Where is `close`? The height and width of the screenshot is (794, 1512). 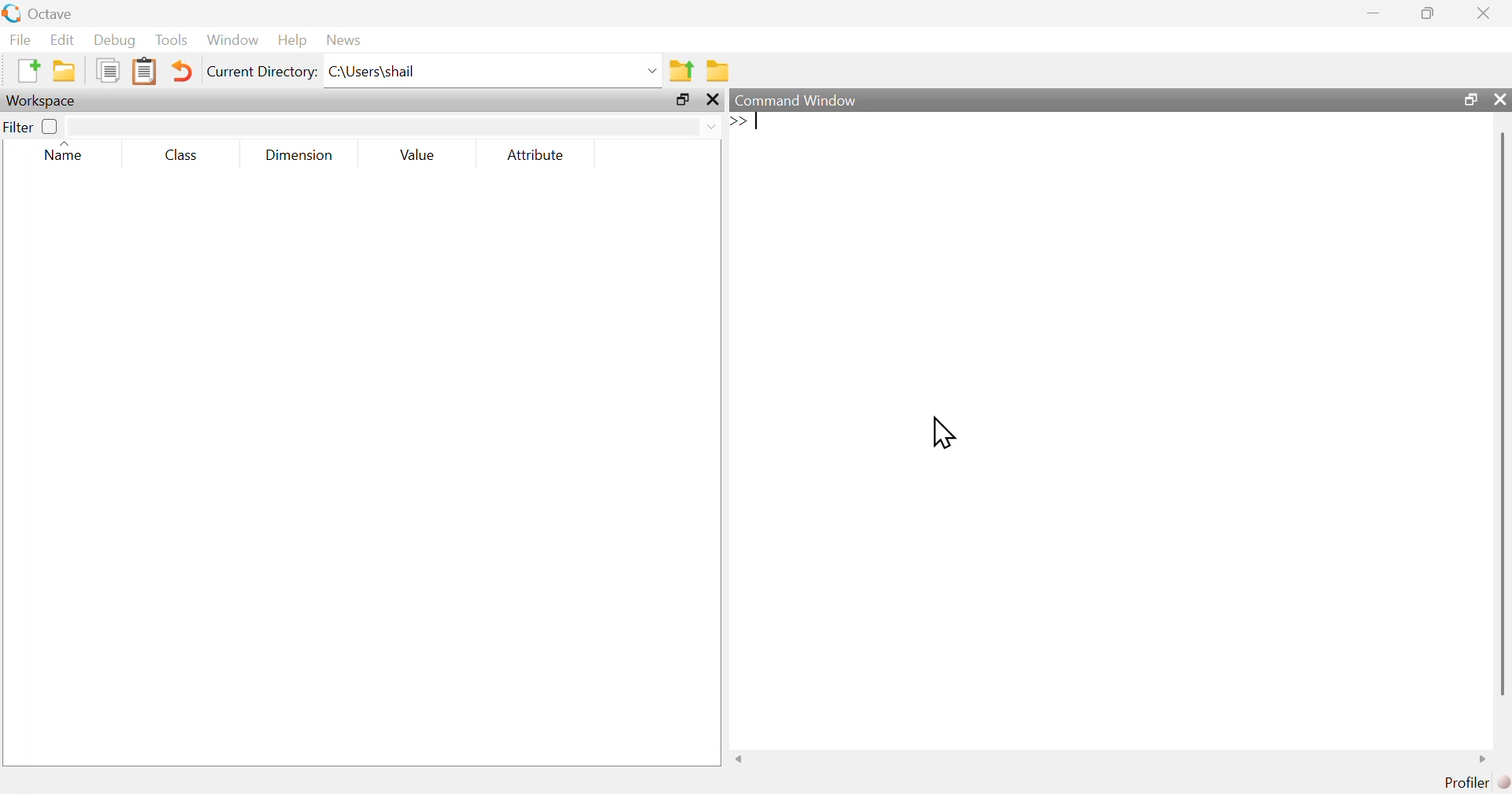
close is located at coordinates (1483, 13).